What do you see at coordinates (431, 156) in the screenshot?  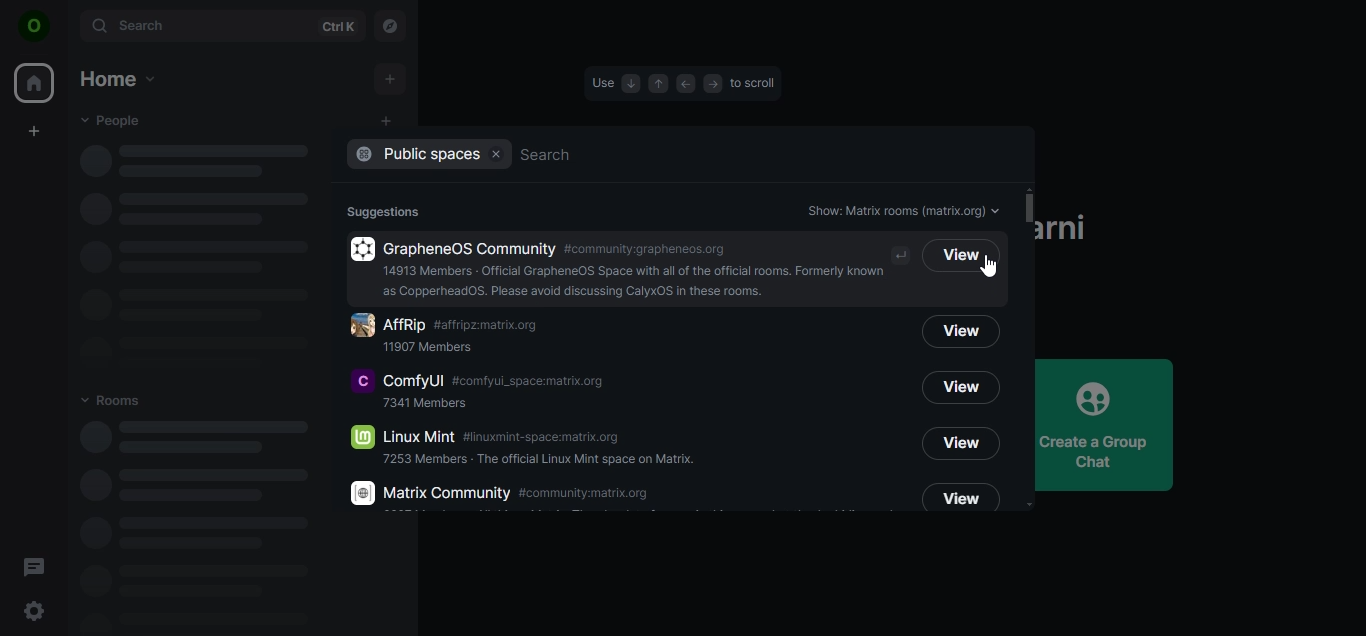 I see `public rooms` at bounding box center [431, 156].